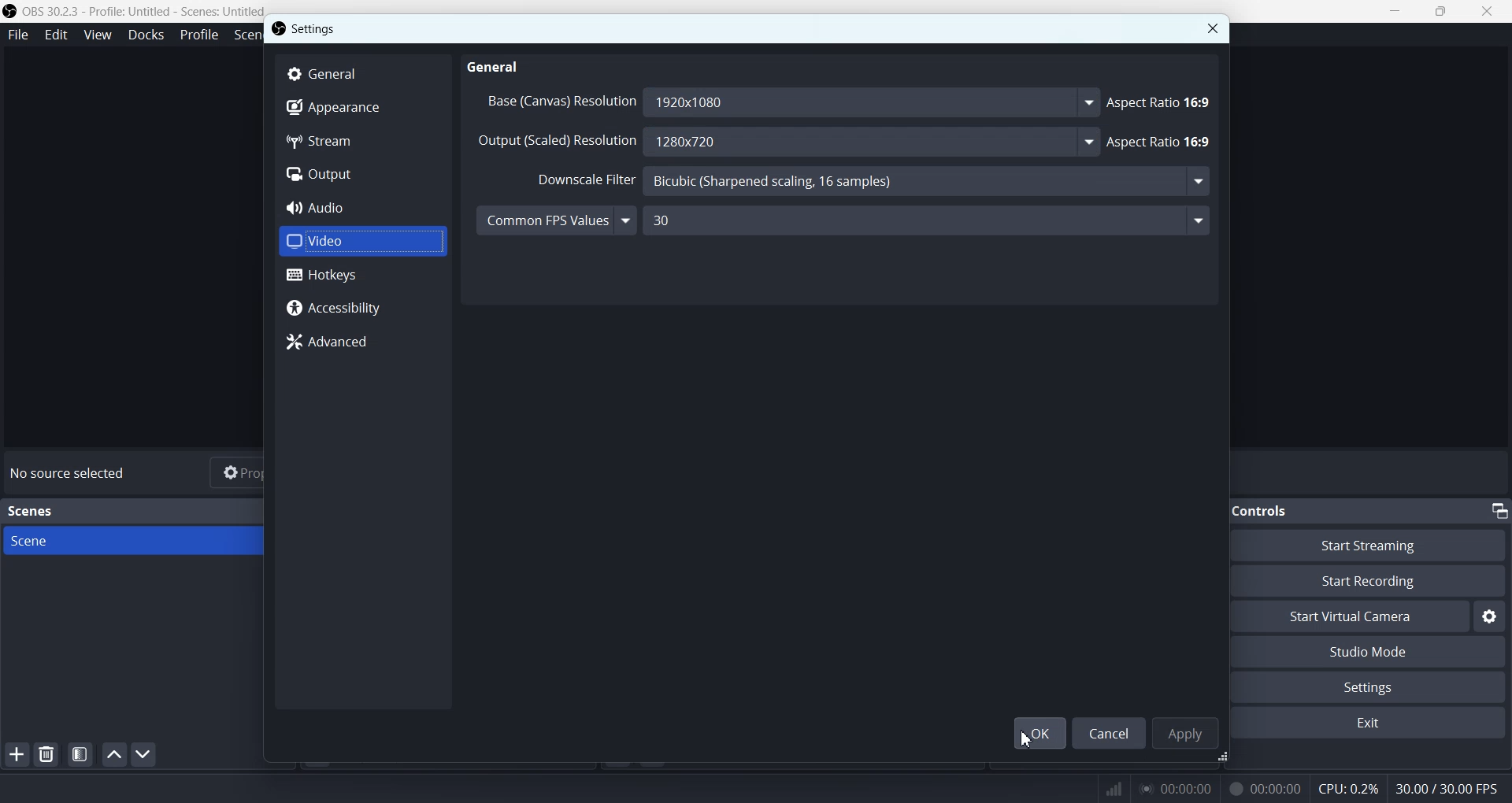 This screenshot has height=803, width=1512. I want to click on Minimize, so click(1499, 510).